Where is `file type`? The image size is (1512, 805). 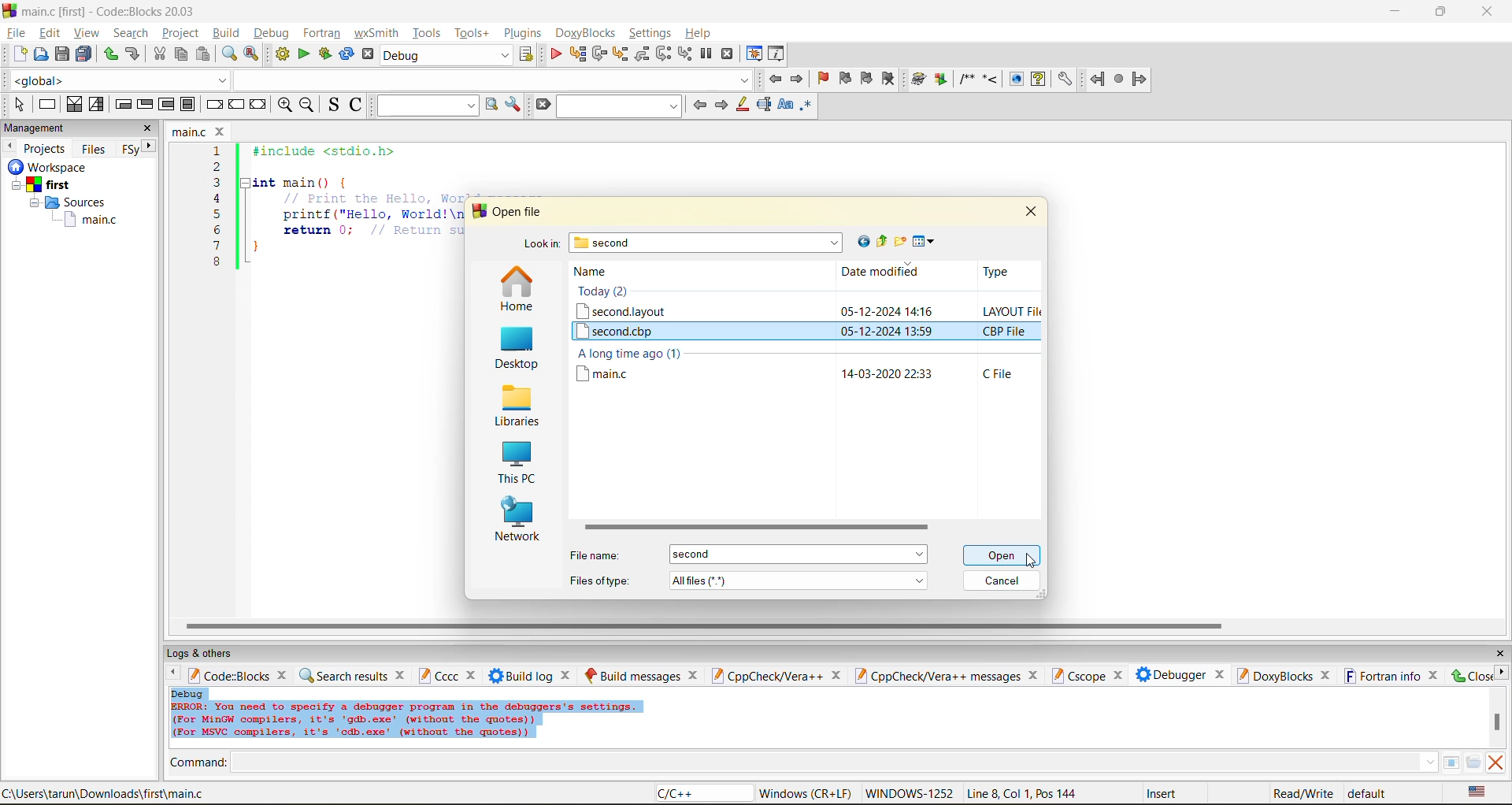 file type is located at coordinates (1006, 331).